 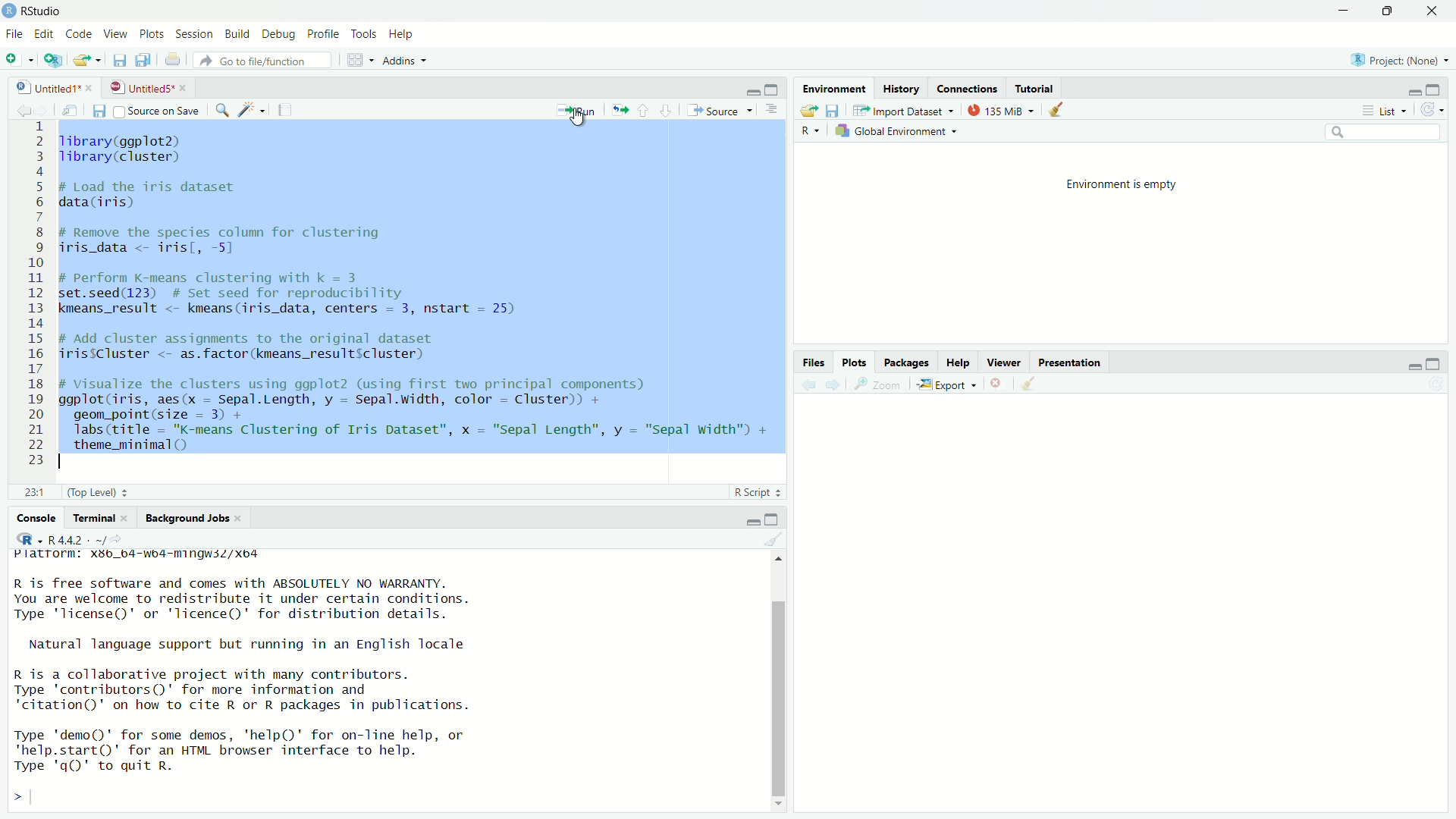 What do you see at coordinates (1438, 111) in the screenshot?
I see `refresh` at bounding box center [1438, 111].